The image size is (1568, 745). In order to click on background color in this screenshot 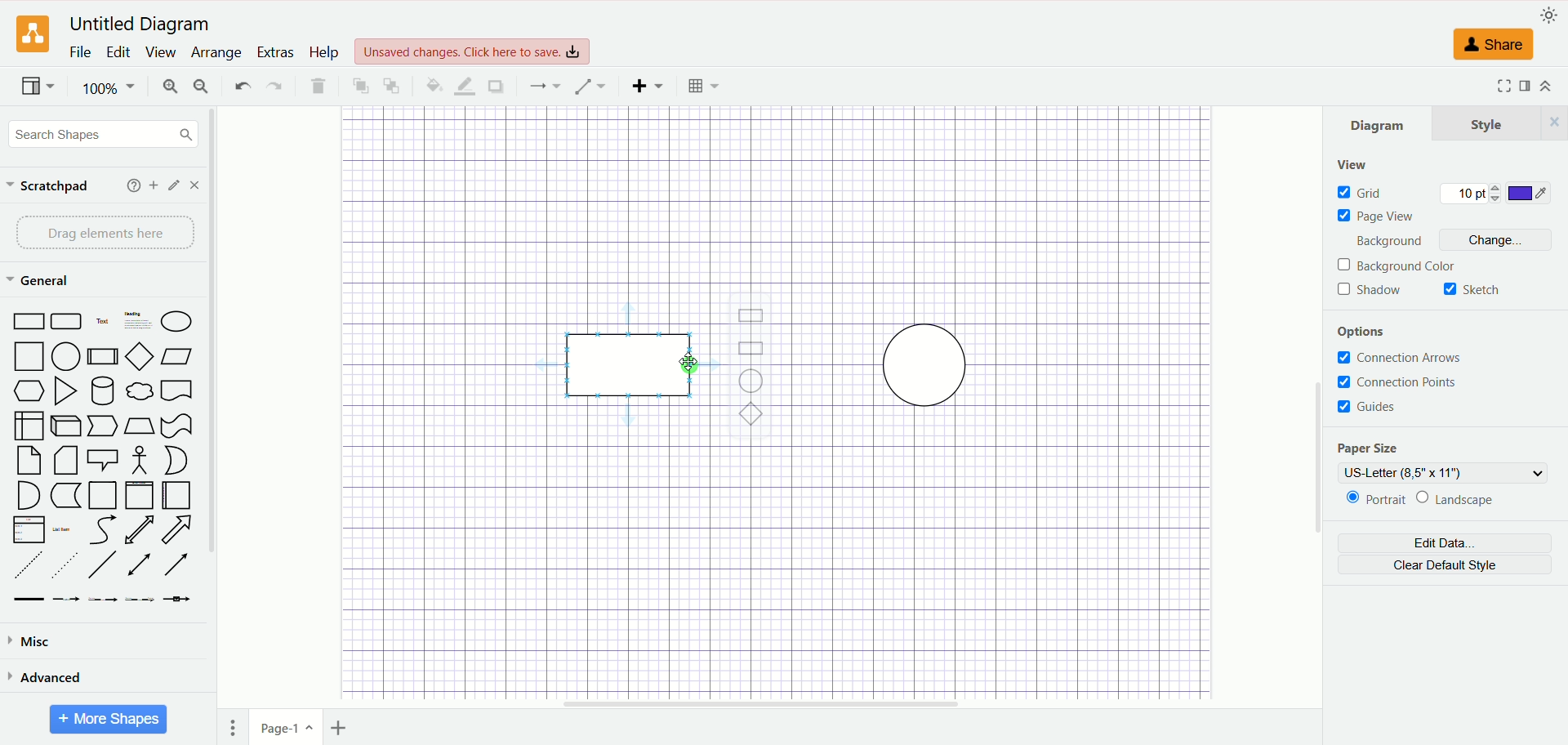, I will do `click(1398, 265)`.